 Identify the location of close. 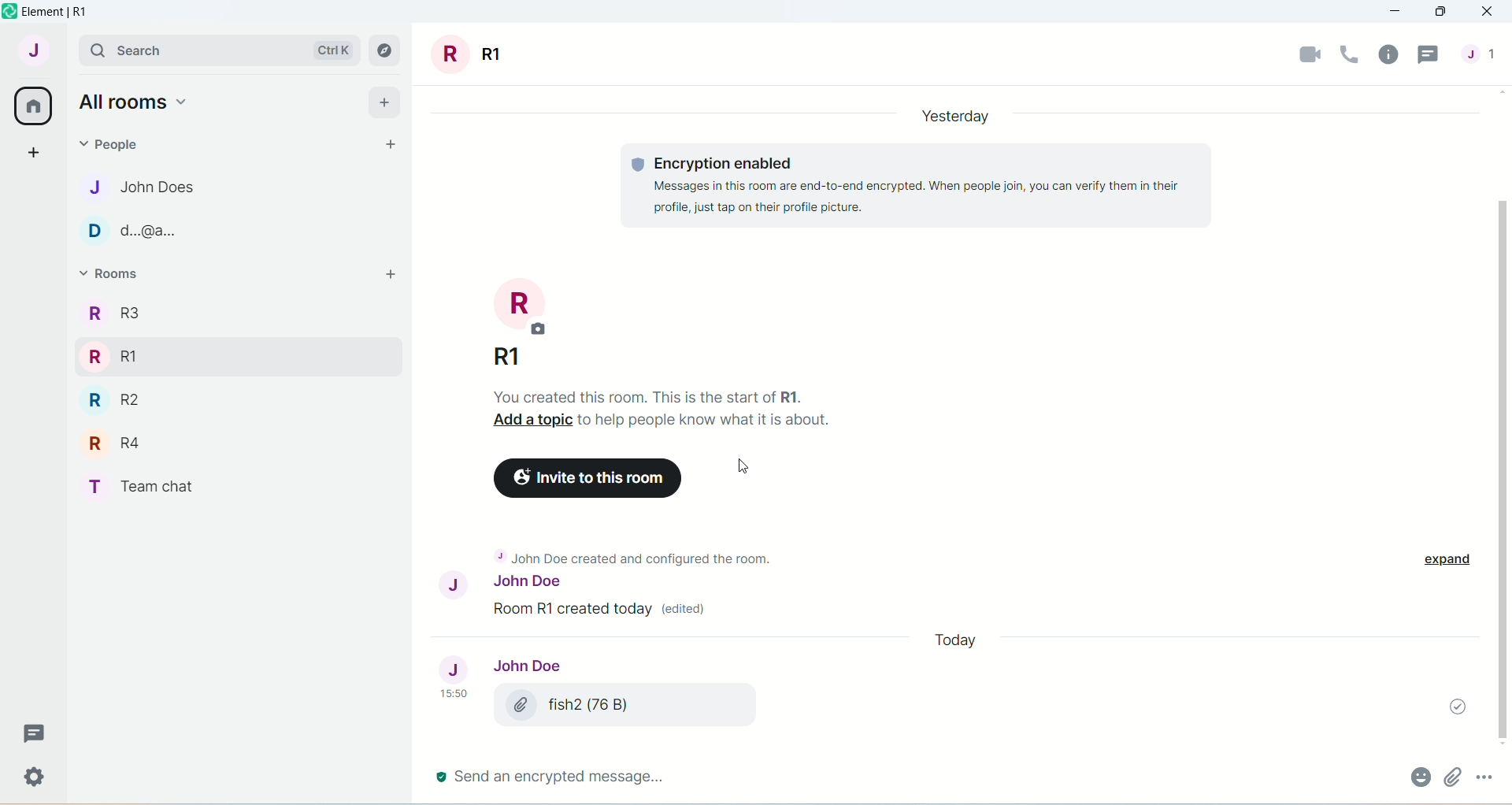
(1488, 13).